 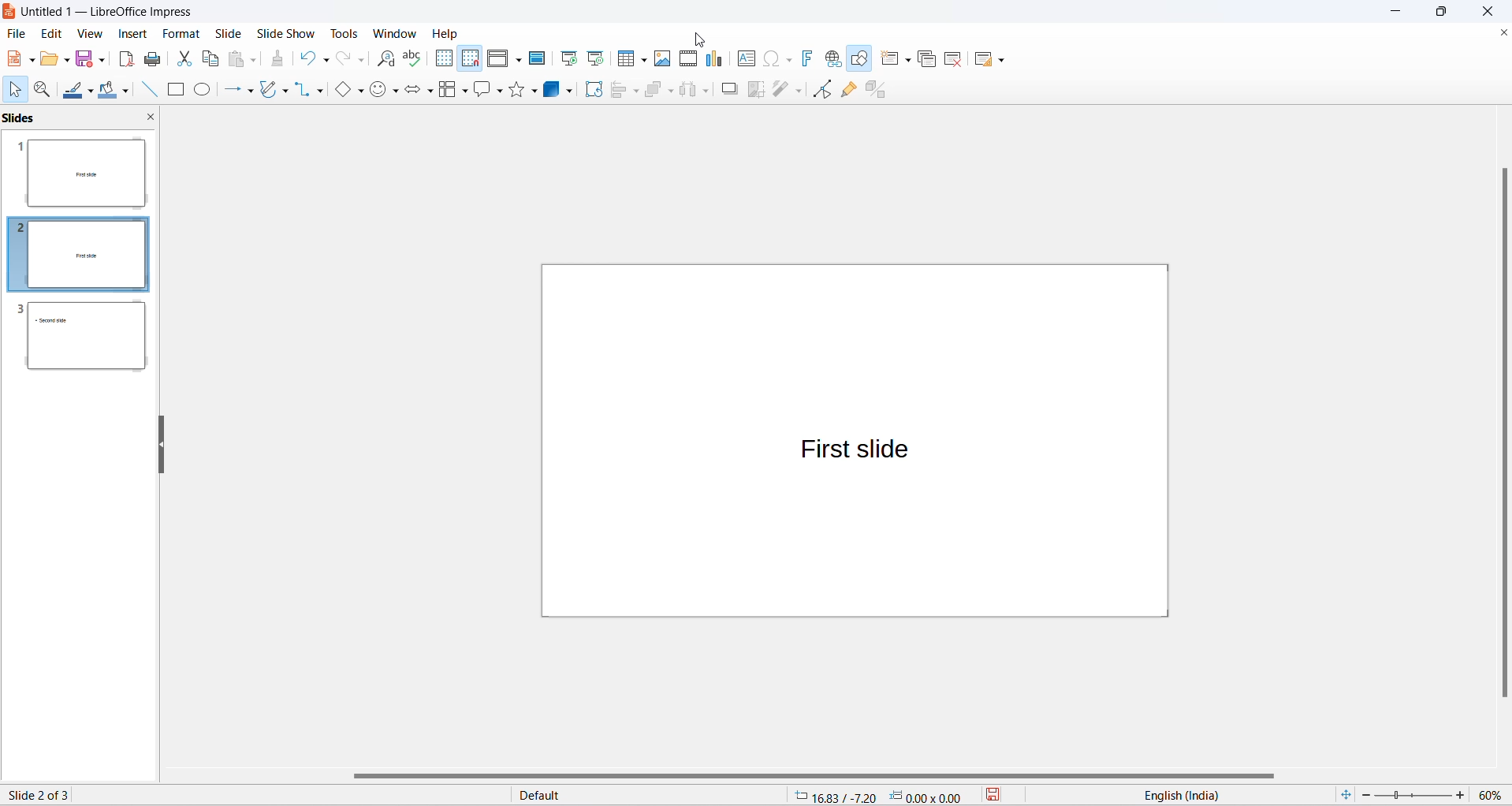 What do you see at coordinates (705, 33) in the screenshot?
I see ` cursor` at bounding box center [705, 33].